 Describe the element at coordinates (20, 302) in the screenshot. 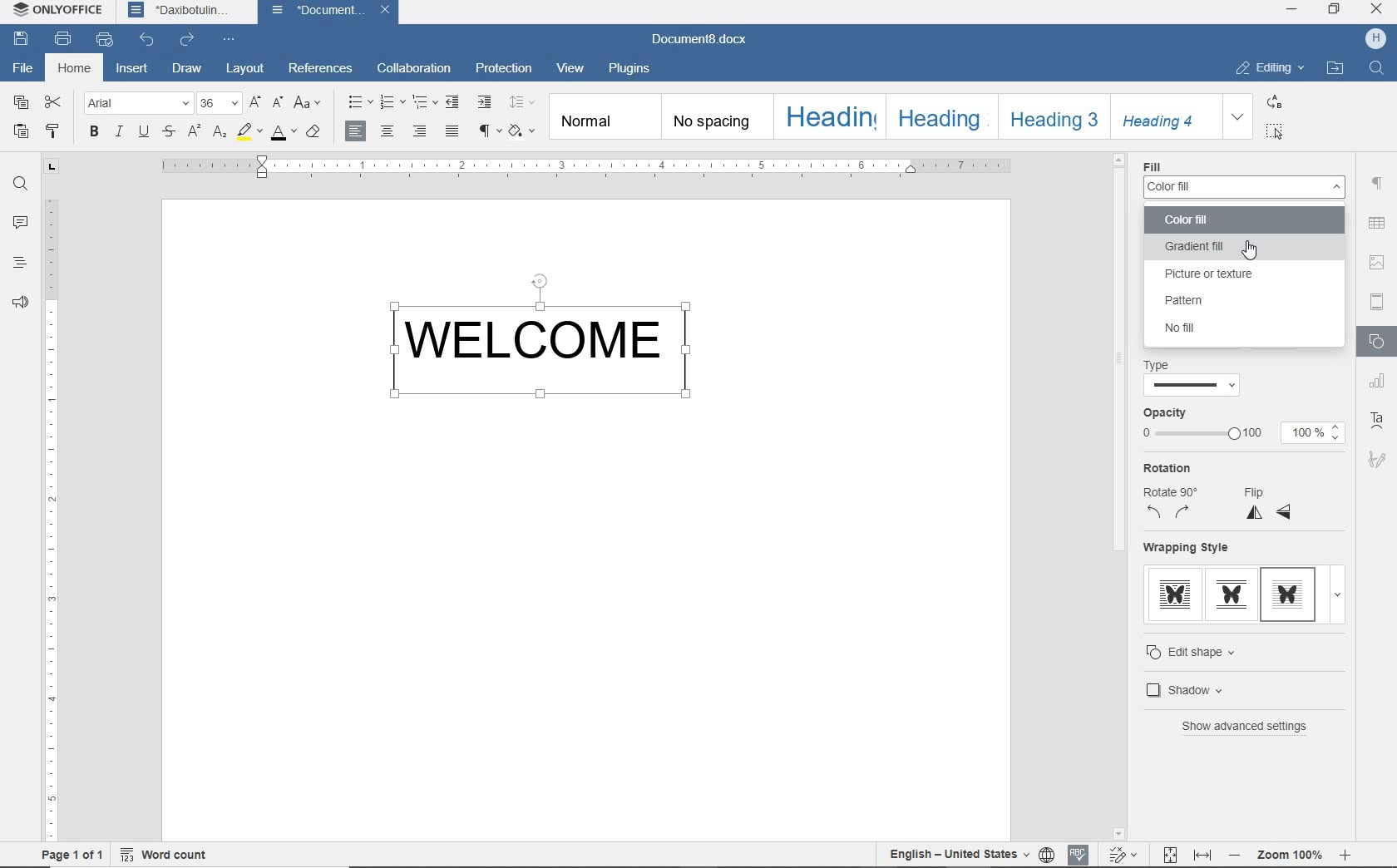

I see `FEEDBACK & SUPPORT` at that location.